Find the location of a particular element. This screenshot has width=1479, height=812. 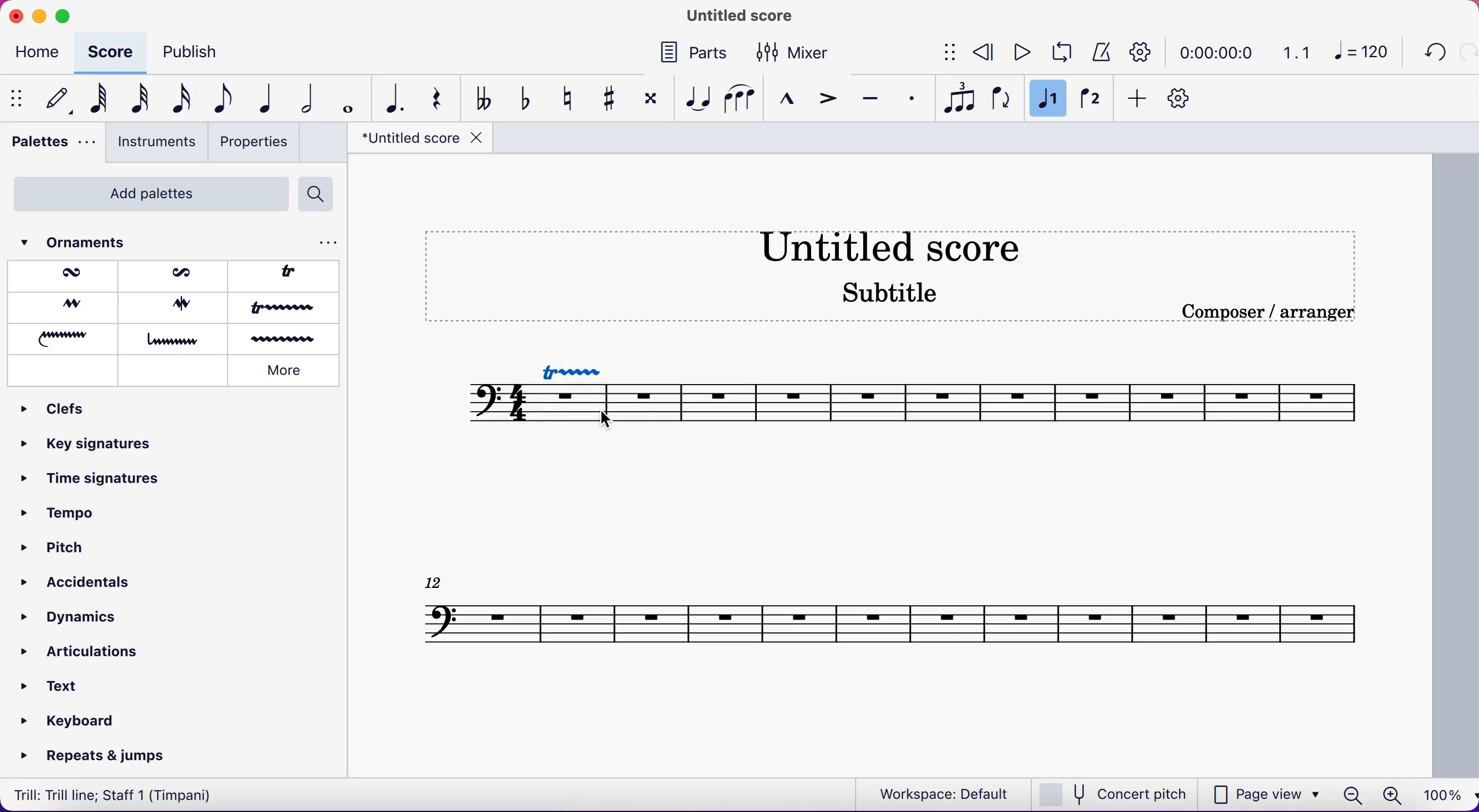

workspace: default is located at coordinates (939, 793).